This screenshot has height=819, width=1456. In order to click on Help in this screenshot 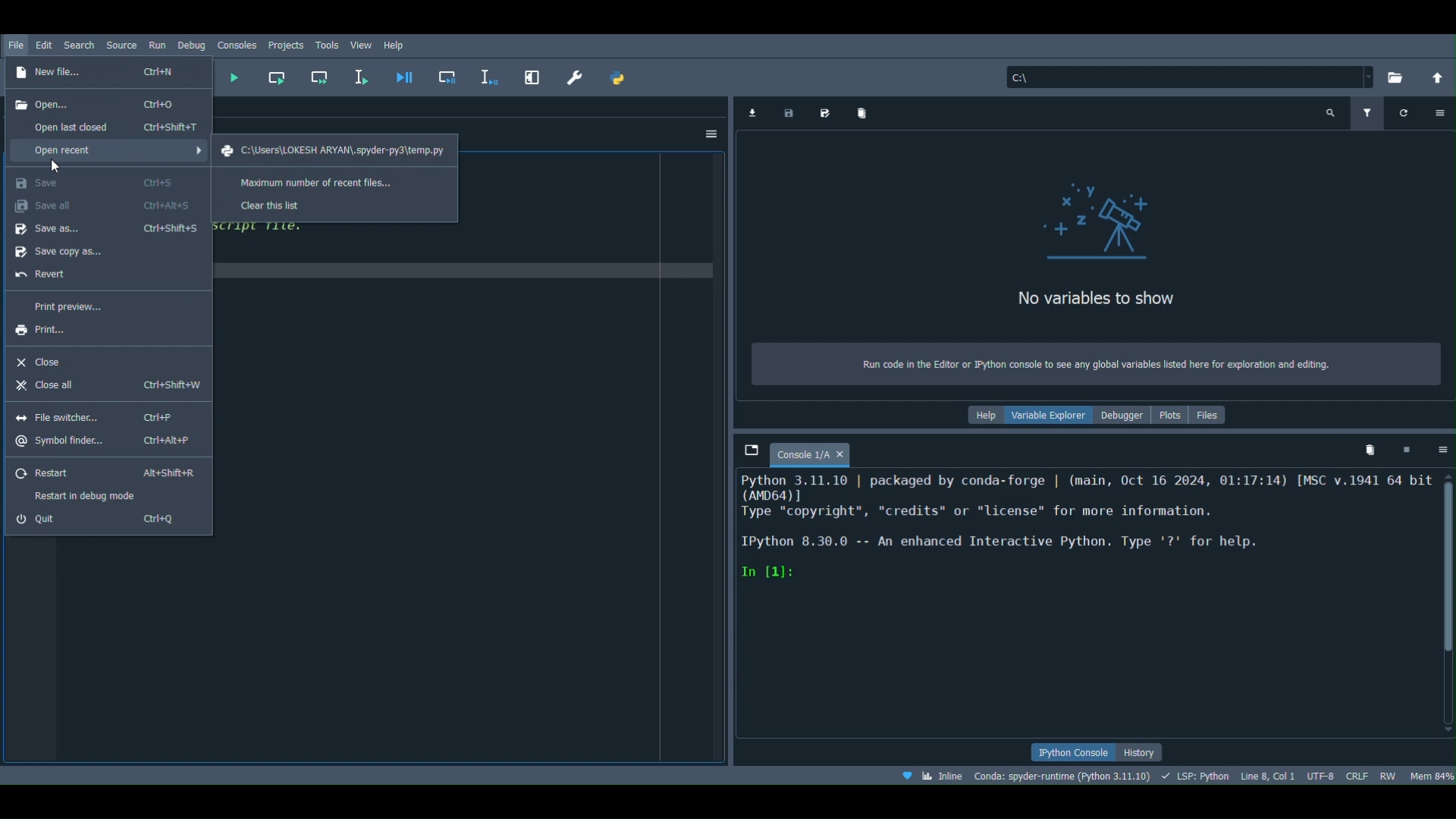, I will do `click(983, 419)`.